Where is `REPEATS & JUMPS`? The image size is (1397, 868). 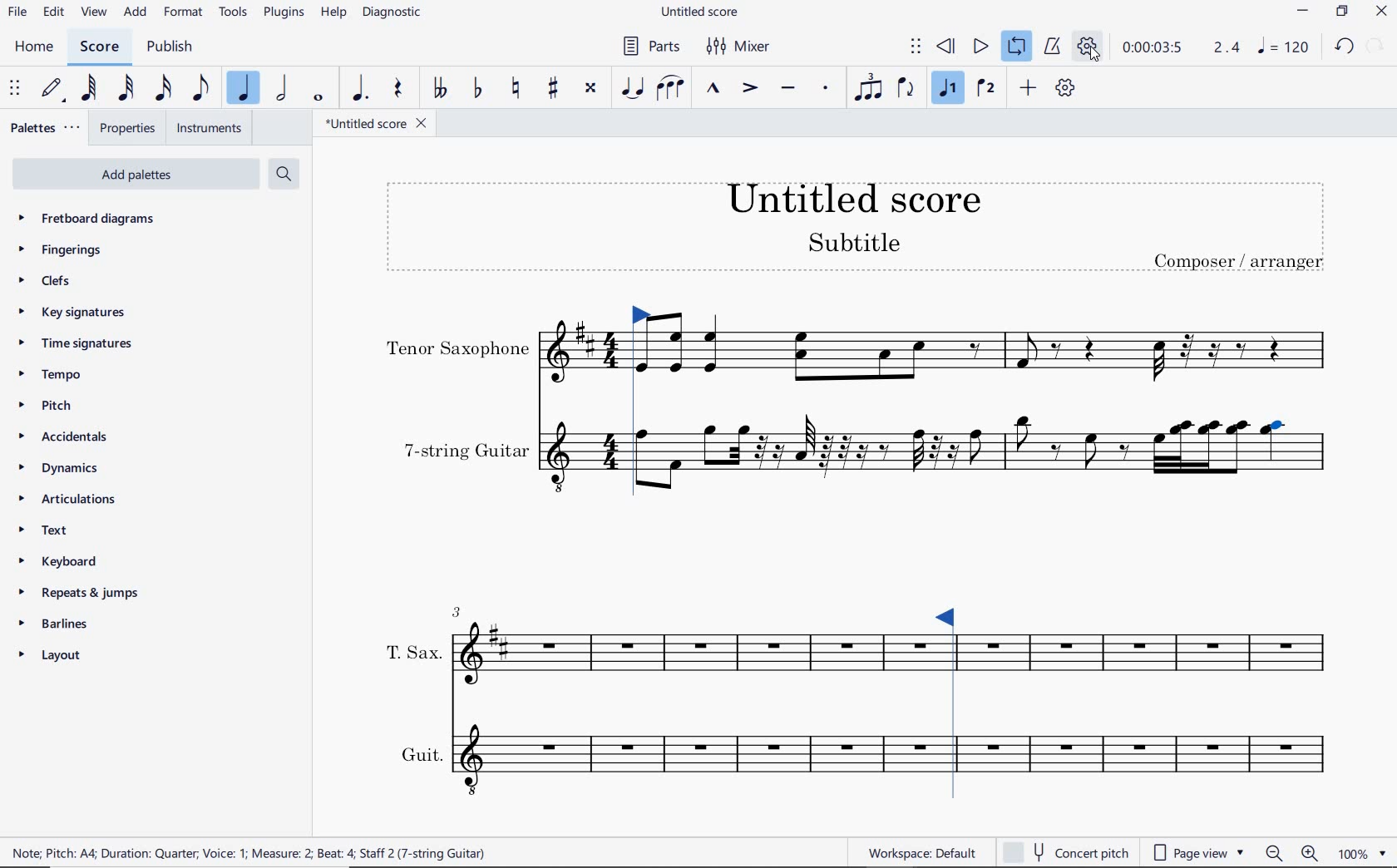 REPEATS & JUMPS is located at coordinates (81, 595).